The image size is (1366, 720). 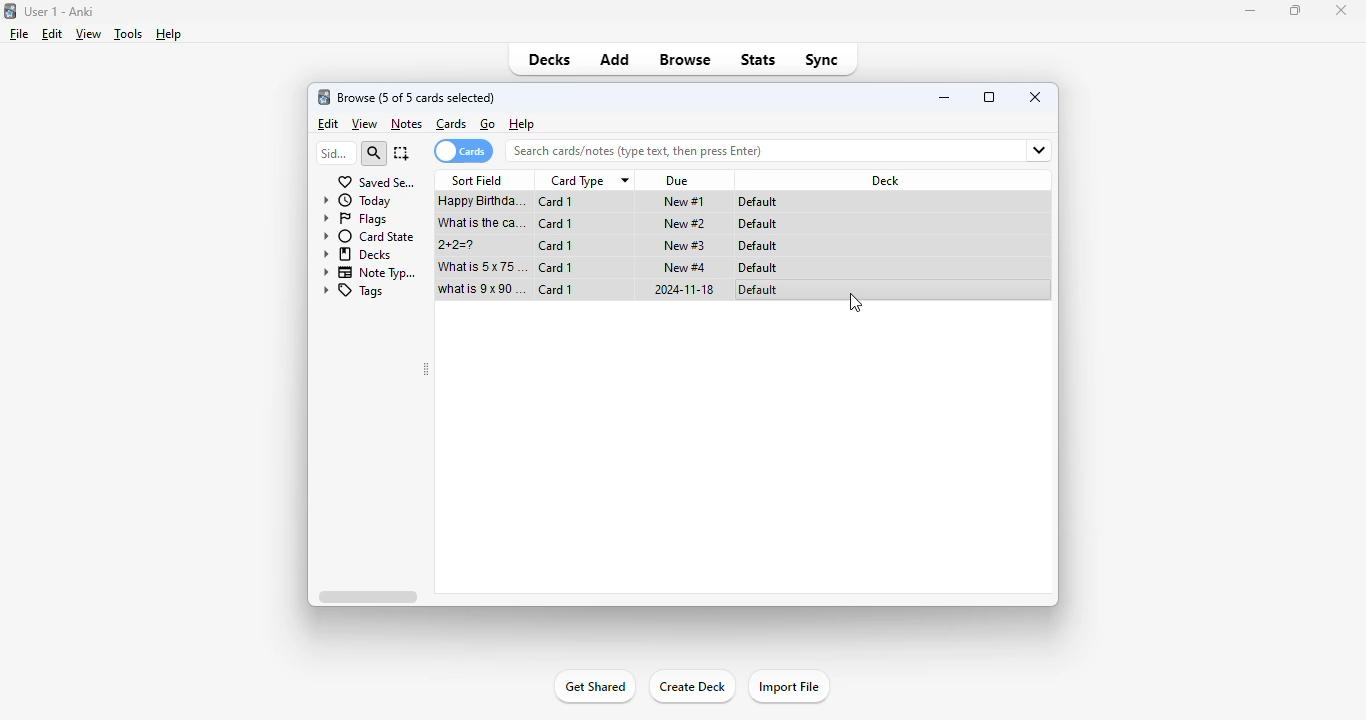 What do you see at coordinates (463, 151) in the screenshot?
I see `cards` at bounding box center [463, 151].